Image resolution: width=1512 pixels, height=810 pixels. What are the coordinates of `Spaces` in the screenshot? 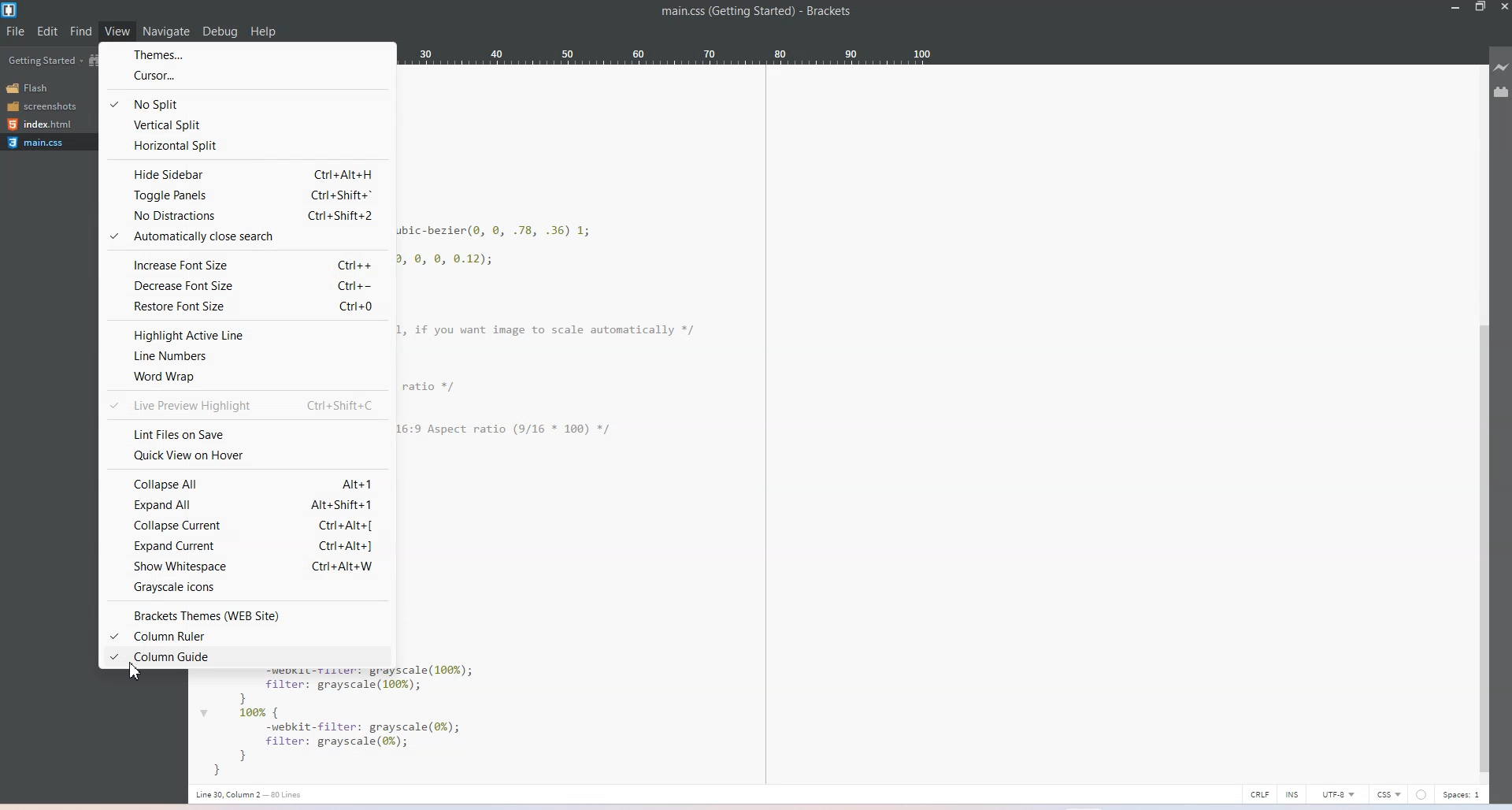 It's located at (1466, 795).